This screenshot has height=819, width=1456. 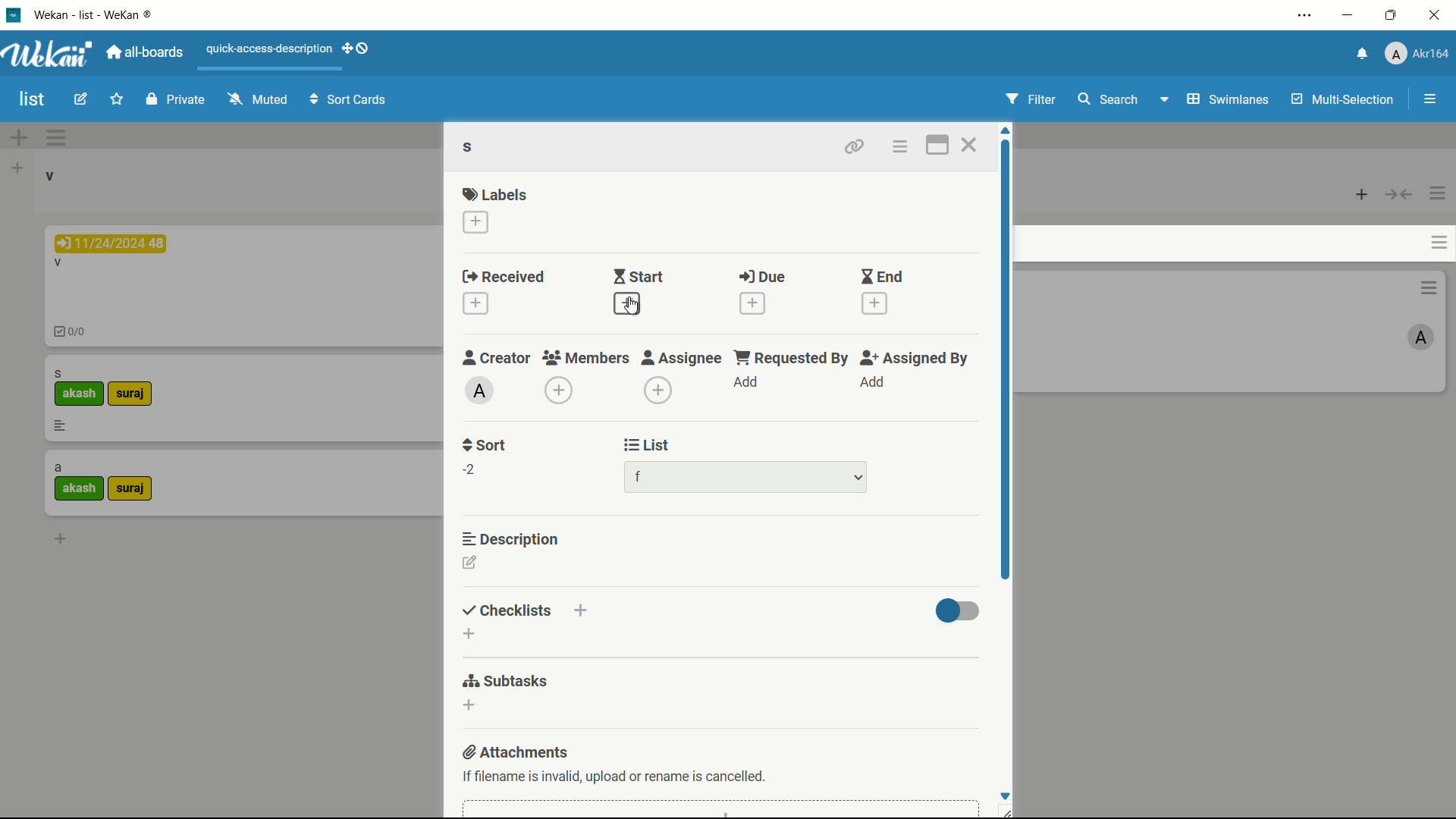 I want to click on card actions, so click(x=1437, y=243).